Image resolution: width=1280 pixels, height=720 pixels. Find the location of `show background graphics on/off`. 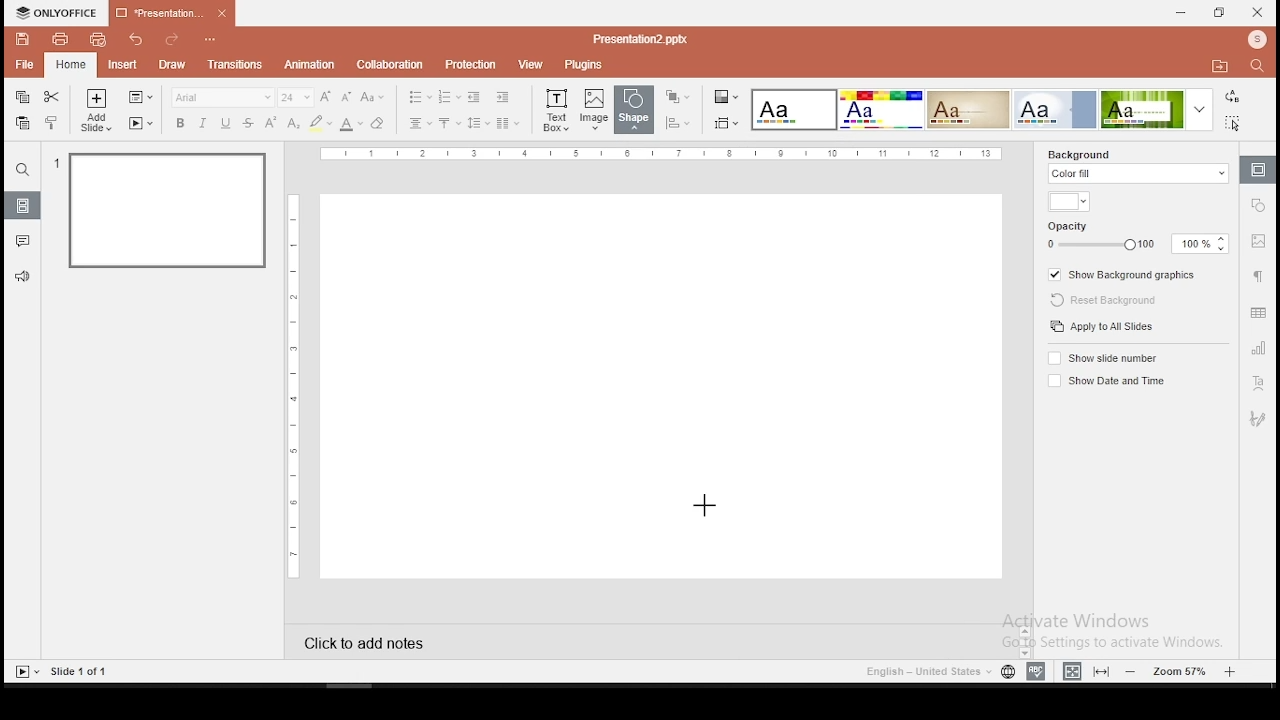

show background graphics on/off is located at coordinates (1125, 273).